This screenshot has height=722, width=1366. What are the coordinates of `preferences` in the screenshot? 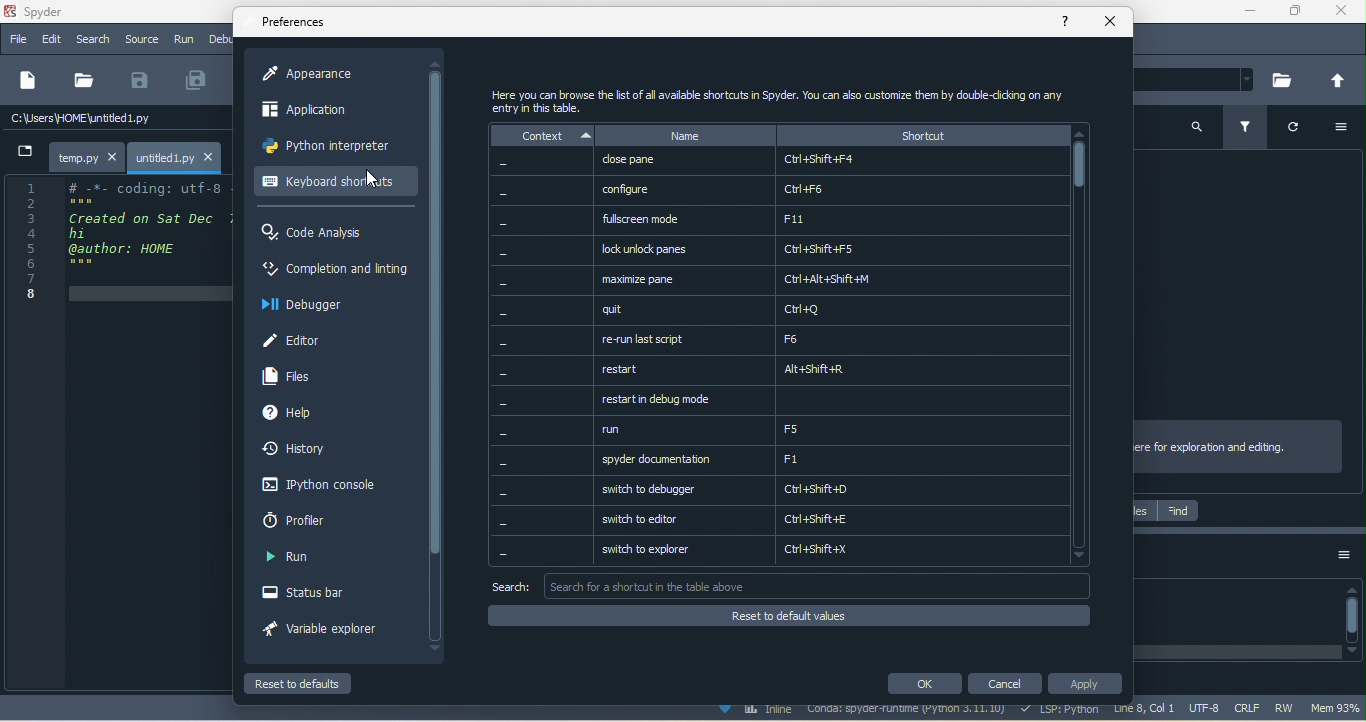 It's located at (295, 25).